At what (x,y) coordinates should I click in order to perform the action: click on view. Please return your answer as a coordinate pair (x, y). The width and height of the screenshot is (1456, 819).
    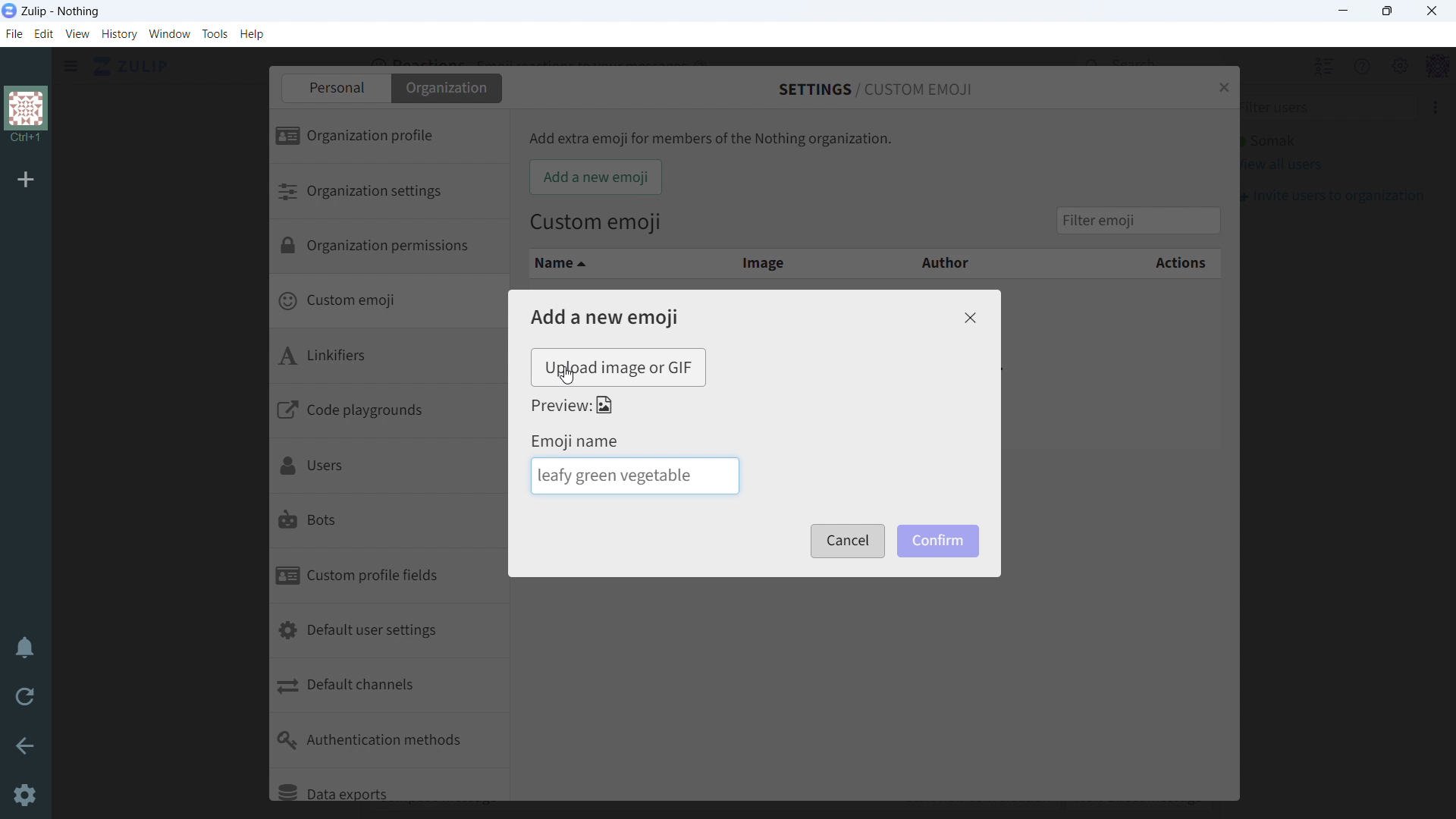
    Looking at the image, I should click on (78, 34).